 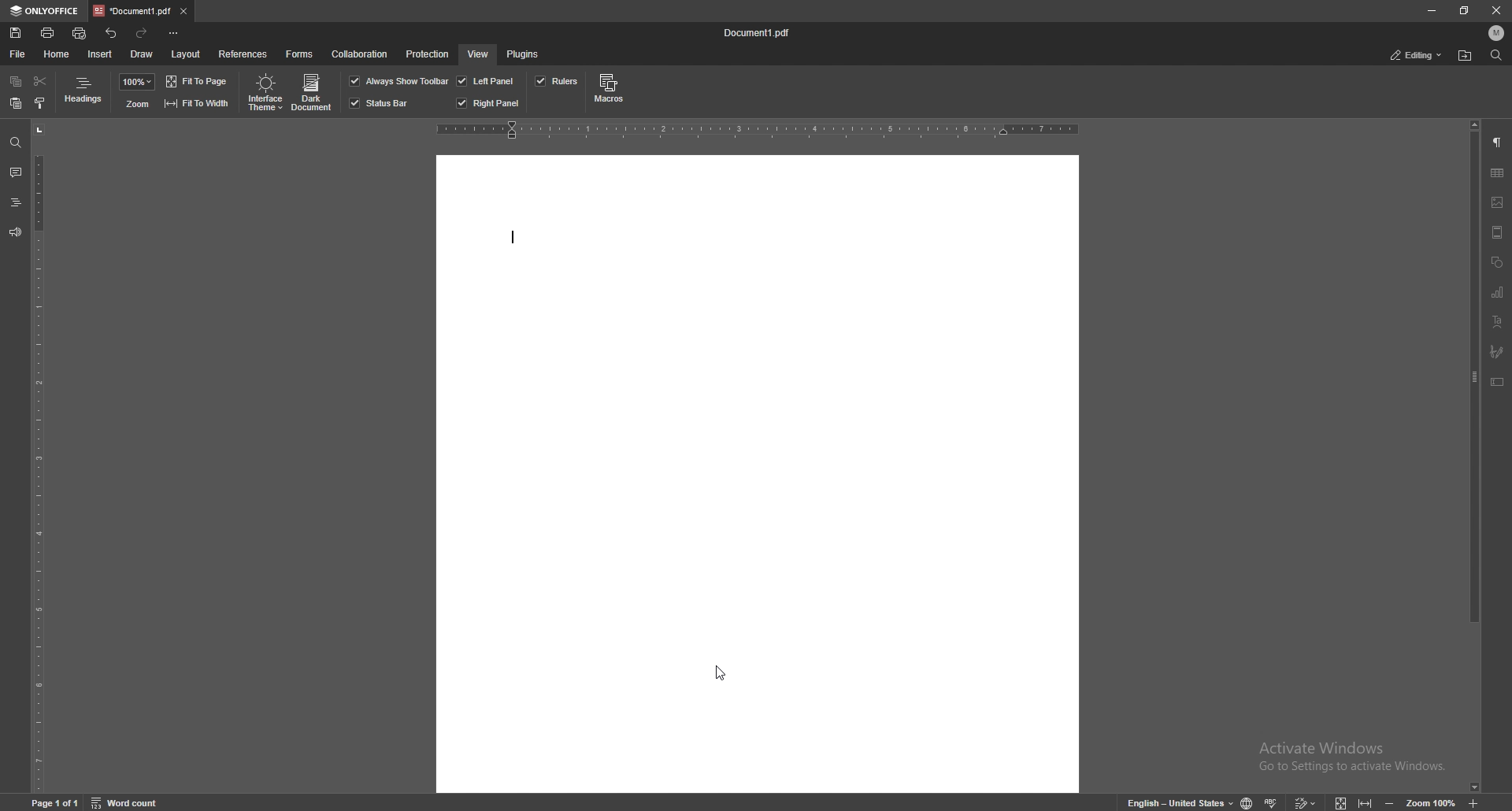 What do you see at coordinates (477, 54) in the screenshot?
I see `view` at bounding box center [477, 54].